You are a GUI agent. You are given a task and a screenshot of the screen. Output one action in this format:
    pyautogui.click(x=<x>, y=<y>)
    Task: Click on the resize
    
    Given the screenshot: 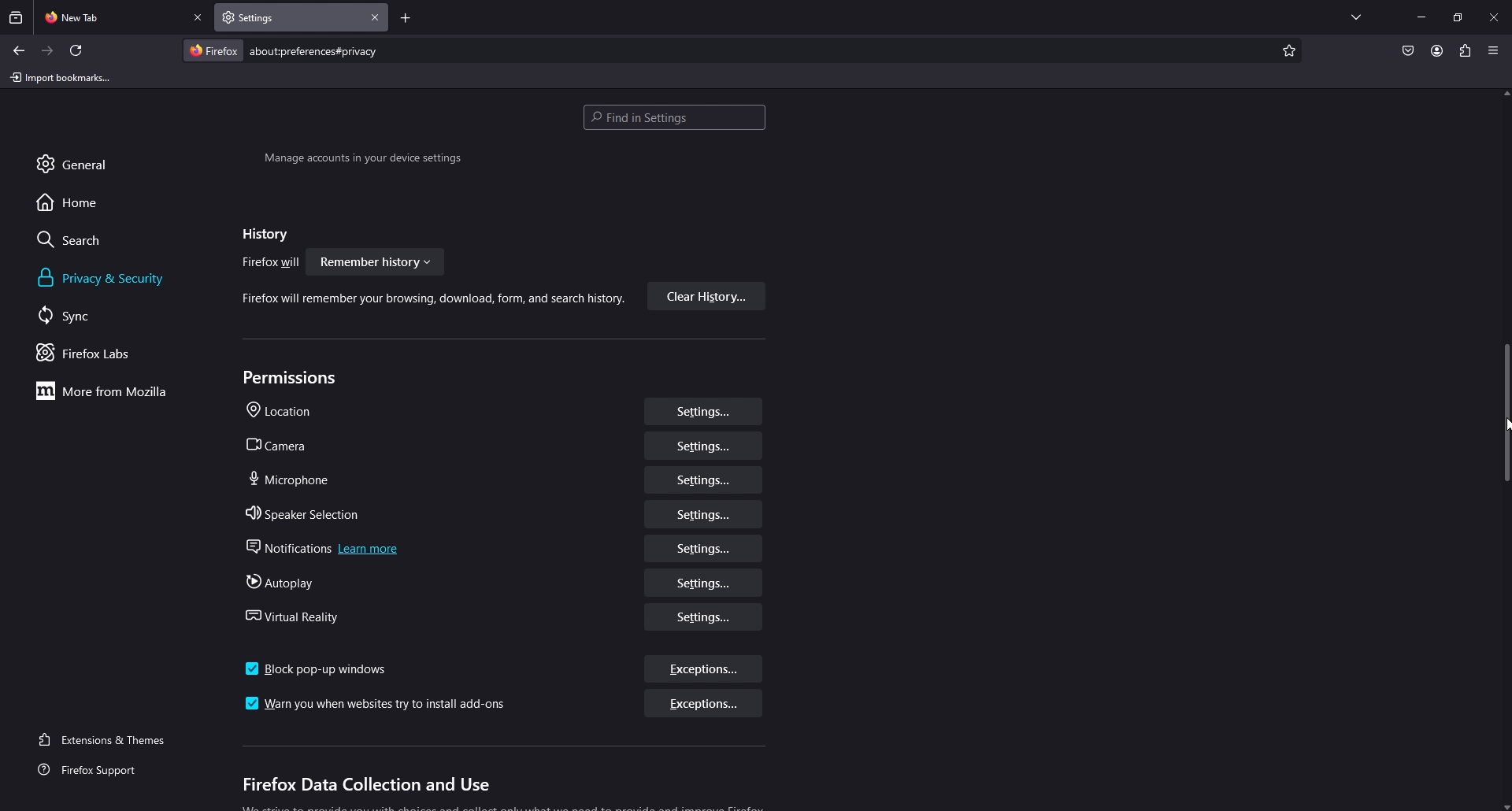 What is the action you would take?
    pyautogui.click(x=1458, y=17)
    